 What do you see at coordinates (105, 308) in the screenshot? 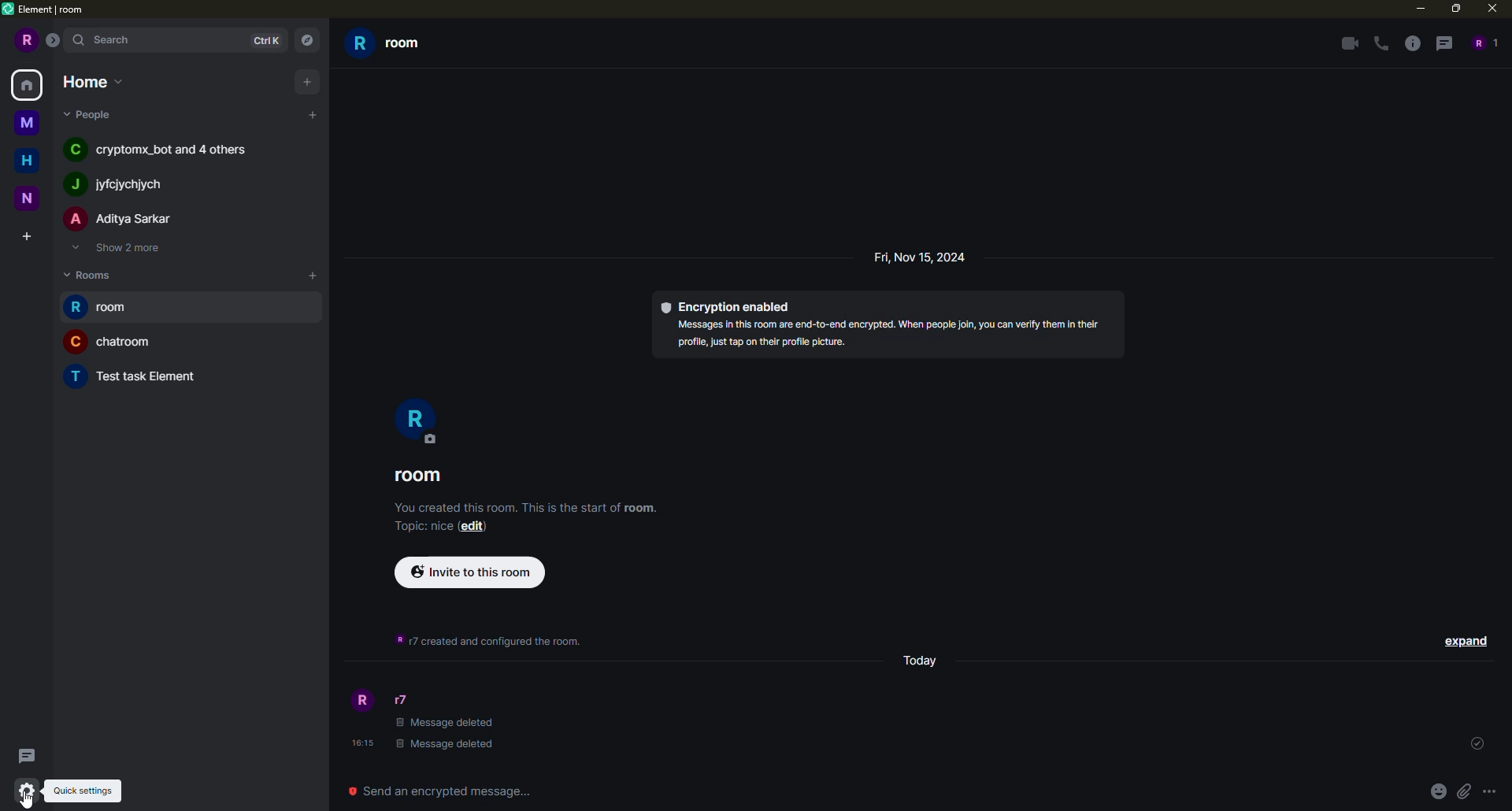
I see `room` at bounding box center [105, 308].